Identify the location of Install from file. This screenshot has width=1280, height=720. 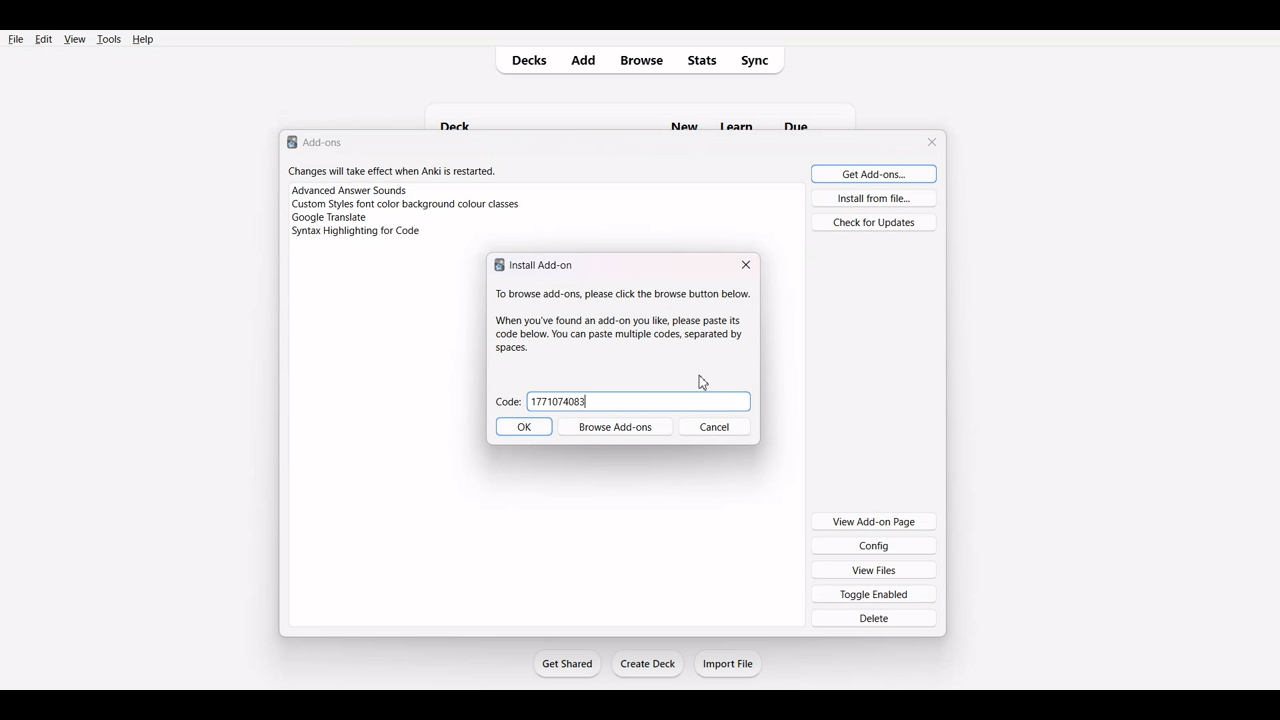
(873, 198).